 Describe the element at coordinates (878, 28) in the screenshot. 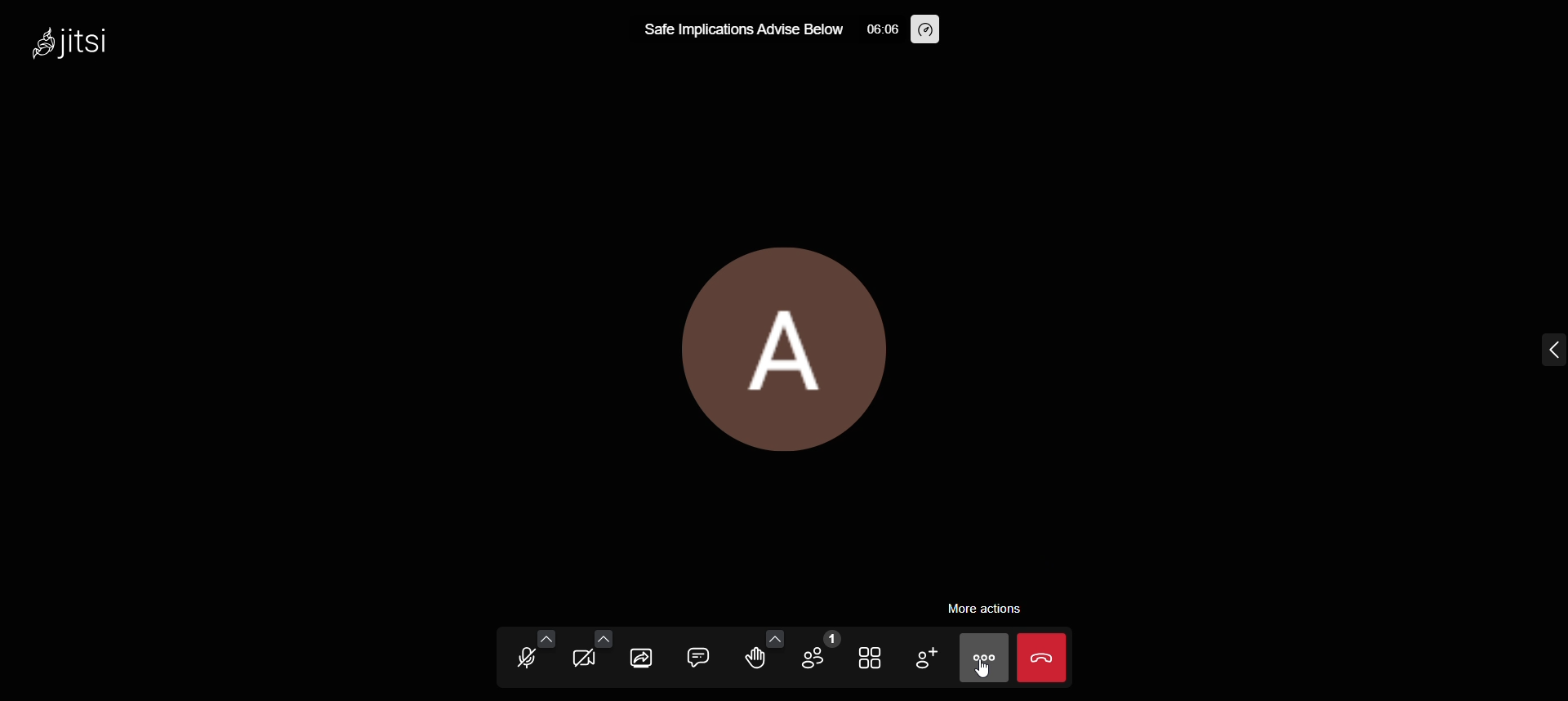

I see `06:06` at that location.